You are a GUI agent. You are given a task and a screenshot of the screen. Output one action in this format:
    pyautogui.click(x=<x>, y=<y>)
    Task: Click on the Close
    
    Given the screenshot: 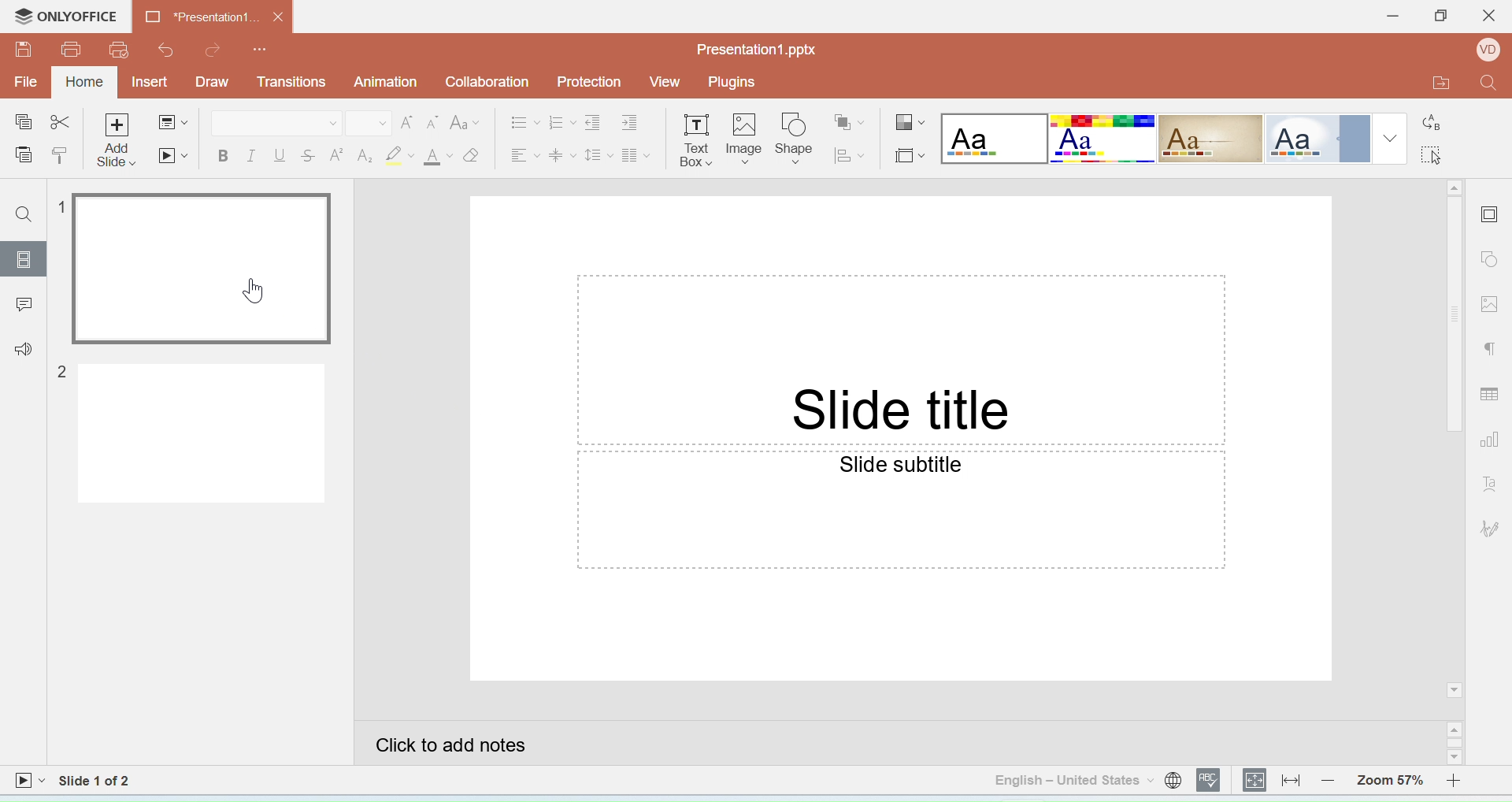 What is the action you would take?
    pyautogui.click(x=1488, y=20)
    